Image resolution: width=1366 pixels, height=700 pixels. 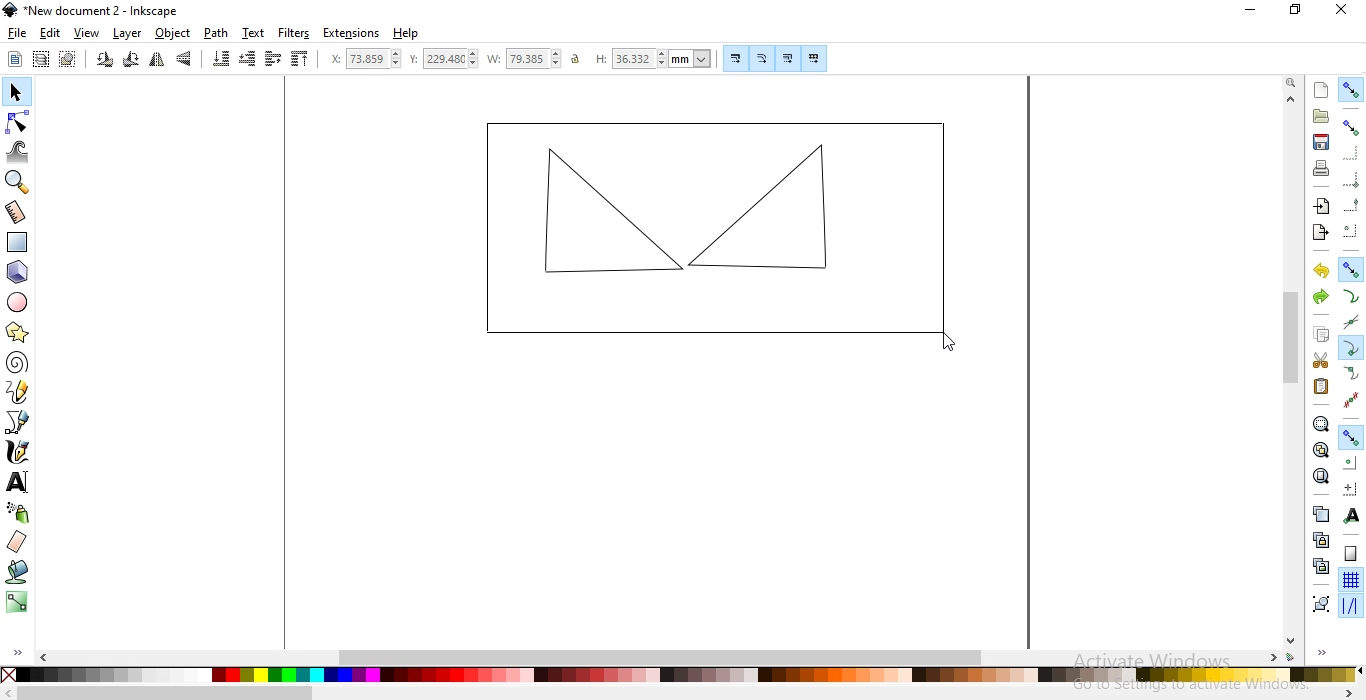 I want to click on zoom to fit selection in window, so click(x=1321, y=424).